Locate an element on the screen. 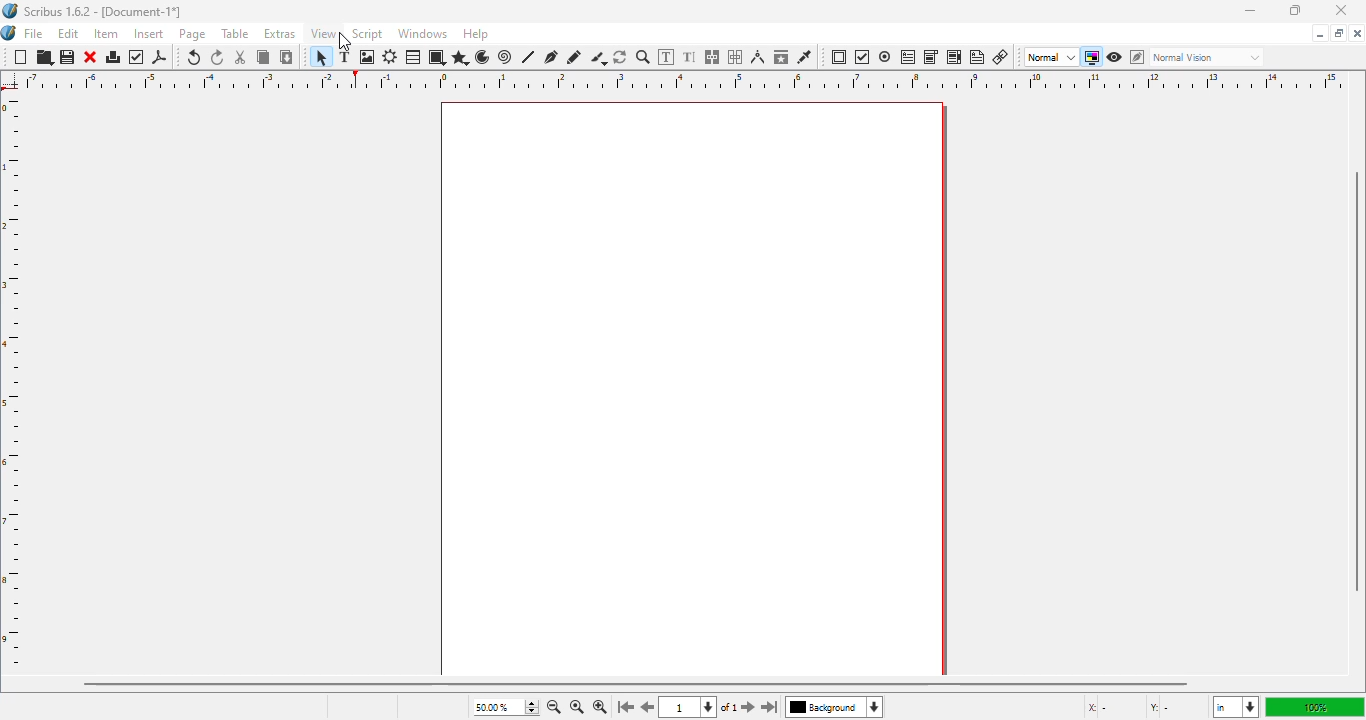  PDF radio button is located at coordinates (885, 57).